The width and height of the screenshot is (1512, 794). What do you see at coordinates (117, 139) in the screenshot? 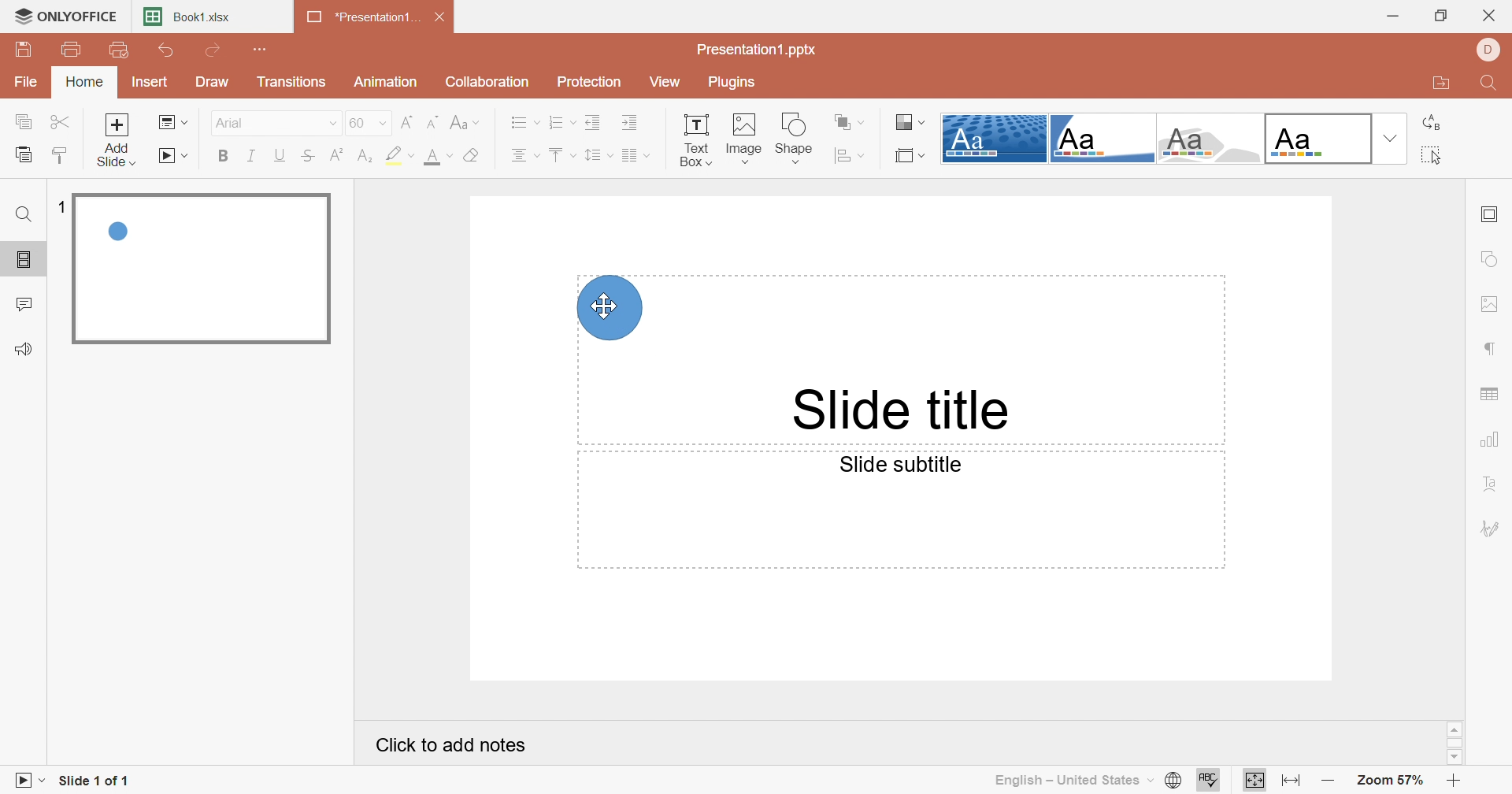
I see `Add slide` at bounding box center [117, 139].